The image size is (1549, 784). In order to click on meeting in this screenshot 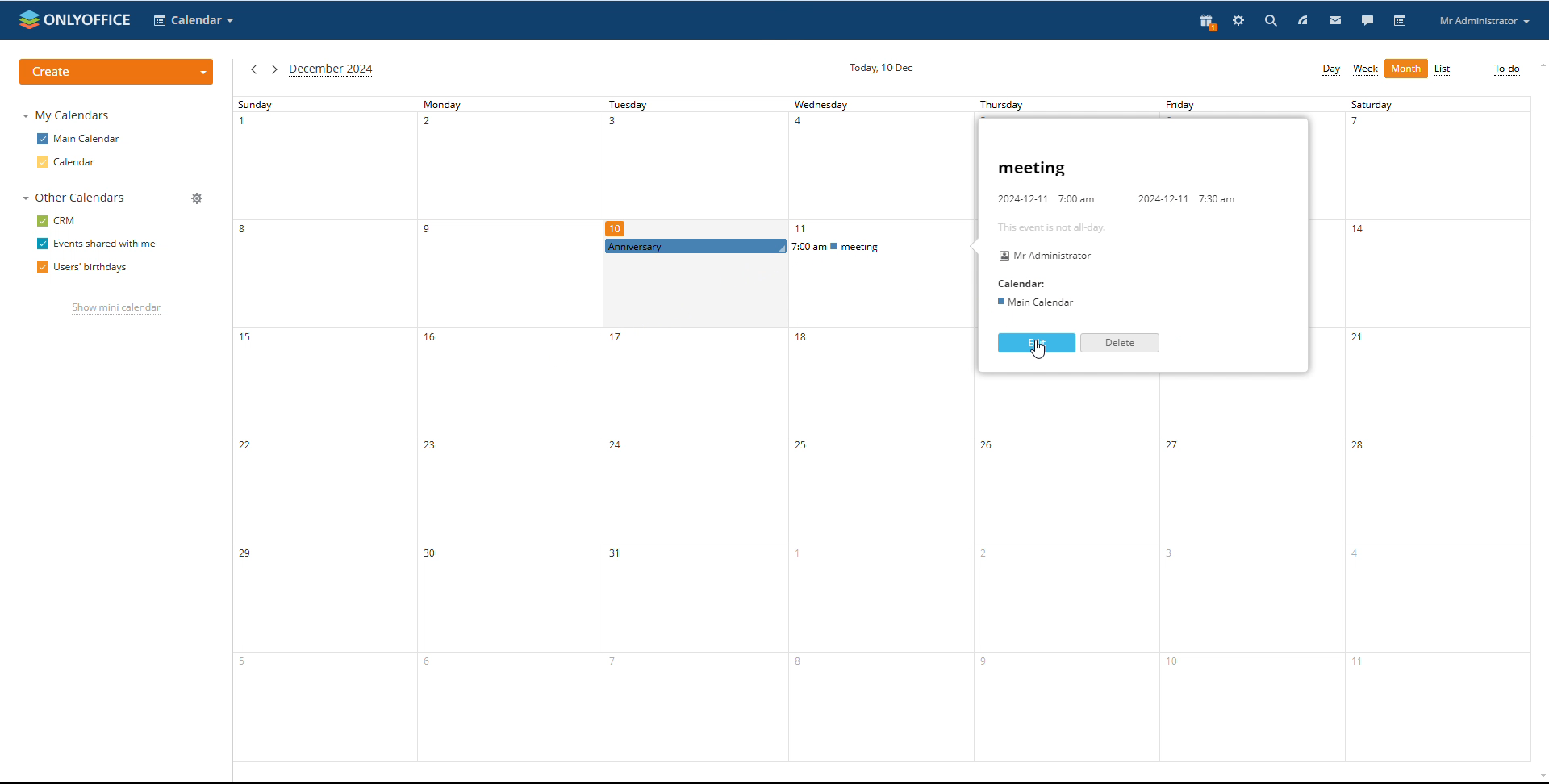, I will do `click(1033, 169)`.